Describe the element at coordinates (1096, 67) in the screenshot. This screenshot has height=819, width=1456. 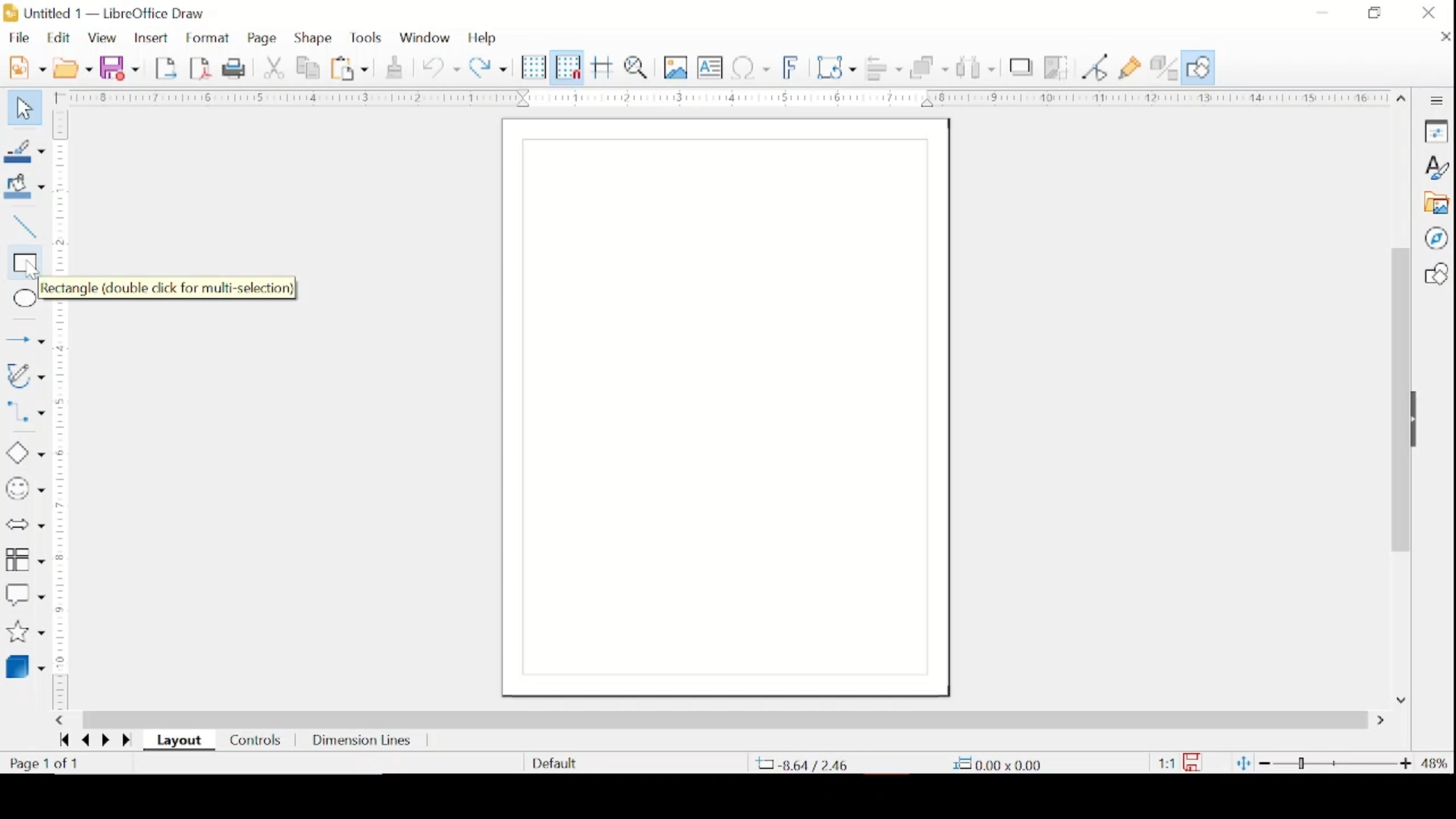
I see `toggle point edit mode` at that location.